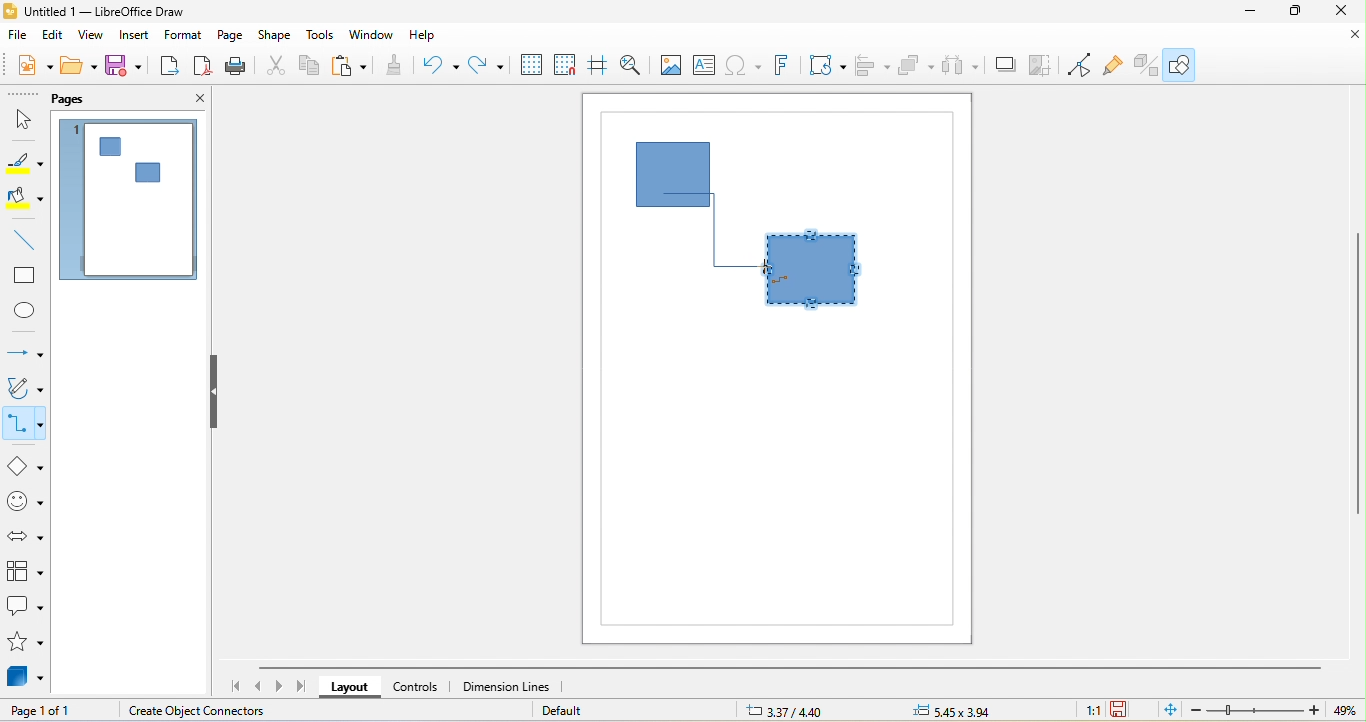 Image resolution: width=1366 pixels, height=722 pixels. What do you see at coordinates (1167, 712) in the screenshot?
I see `fit page to current window` at bounding box center [1167, 712].